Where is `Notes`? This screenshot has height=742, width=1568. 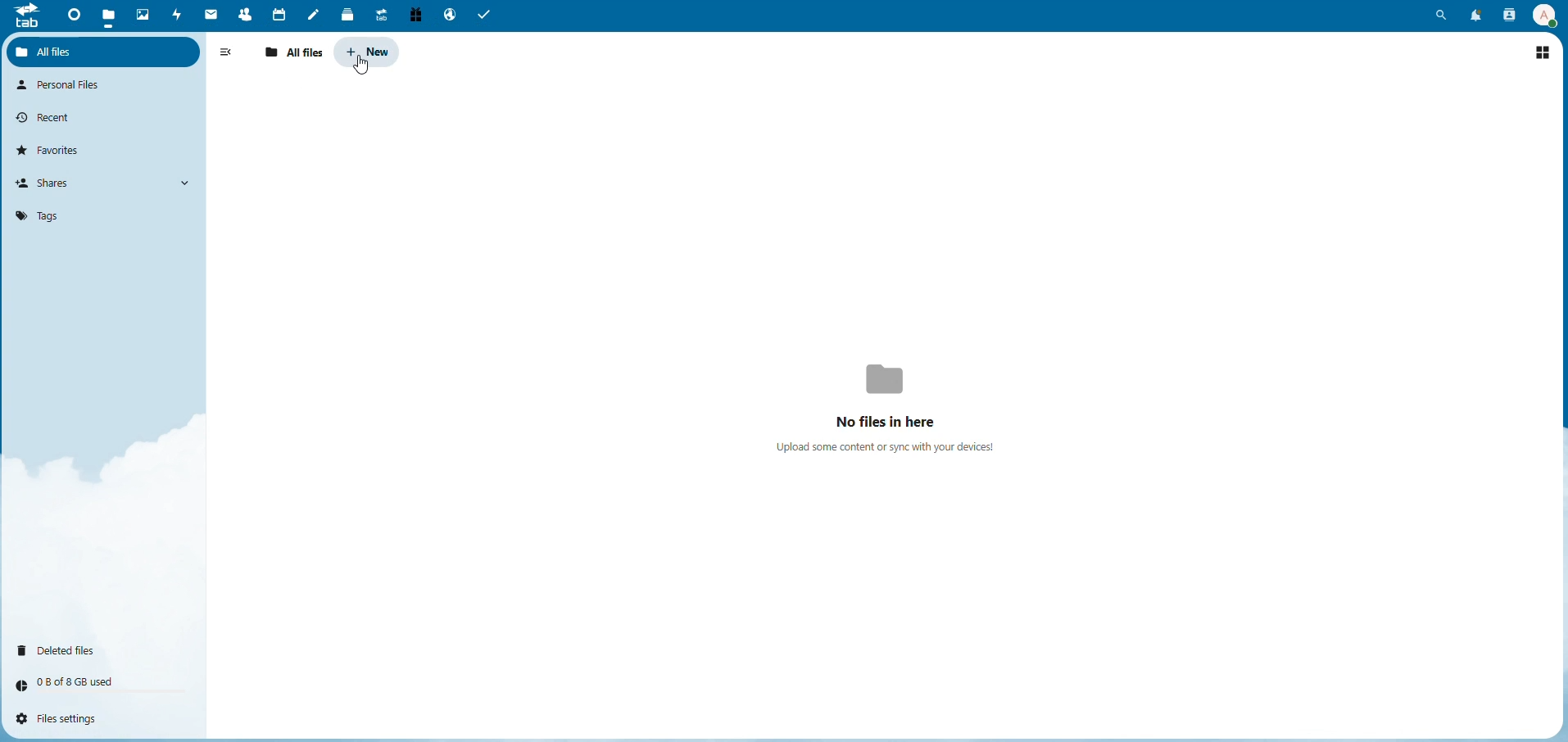
Notes is located at coordinates (314, 14).